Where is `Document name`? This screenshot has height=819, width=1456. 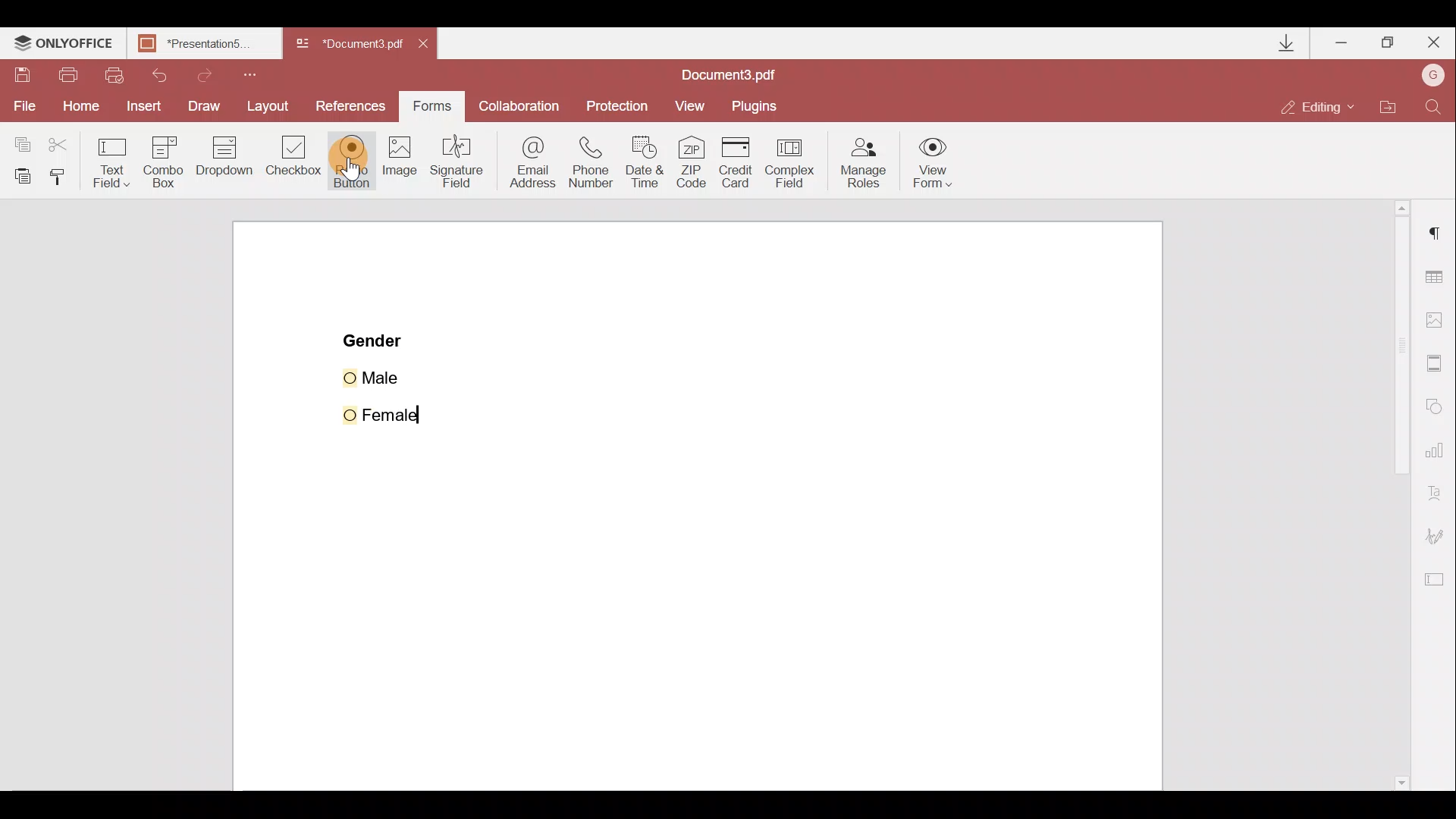 Document name is located at coordinates (733, 73).